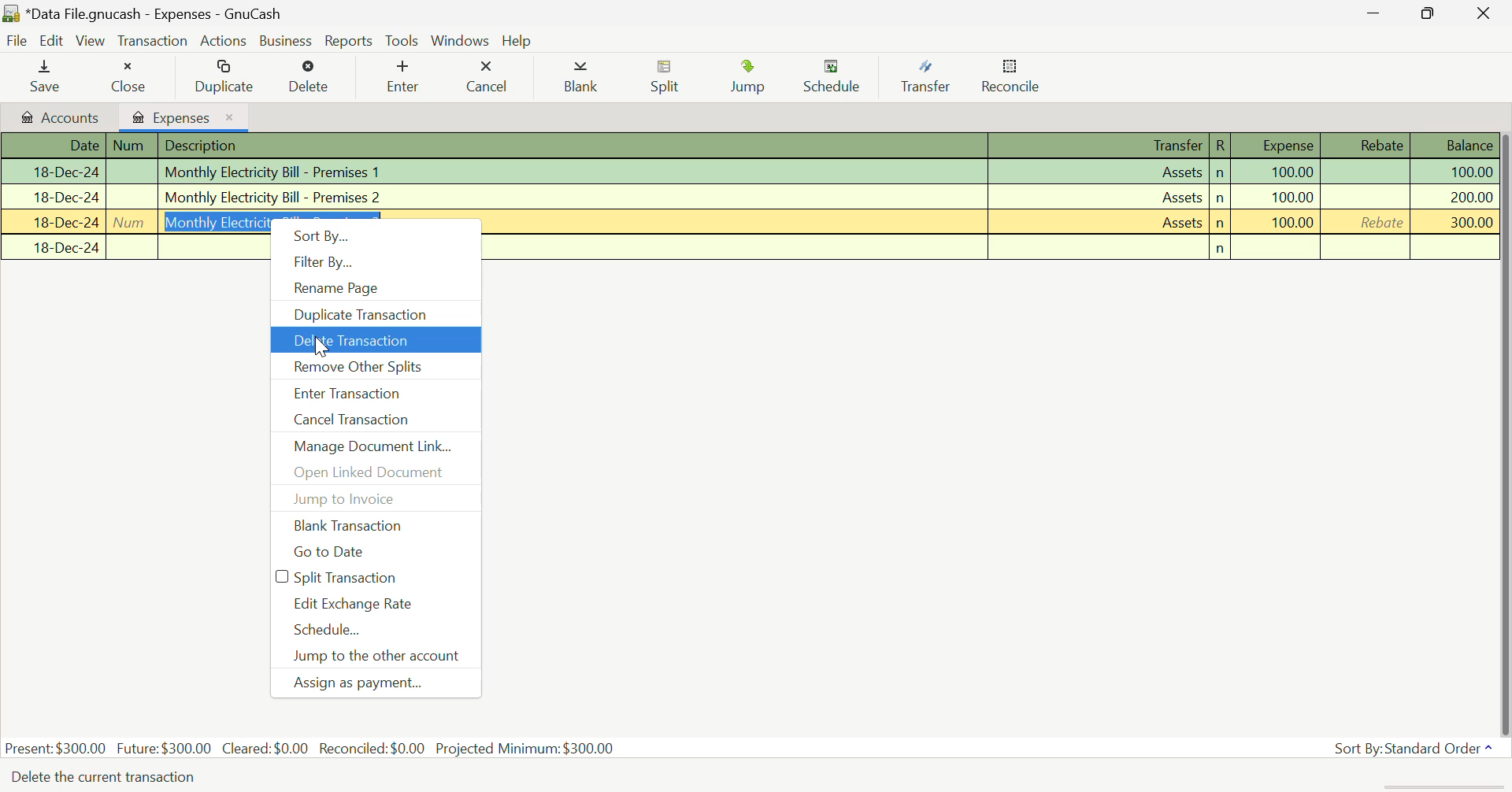  What do you see at coordinates (377, 474) in the screenshot?
I see `Open Linked Document` at bounding box center [377, 474].